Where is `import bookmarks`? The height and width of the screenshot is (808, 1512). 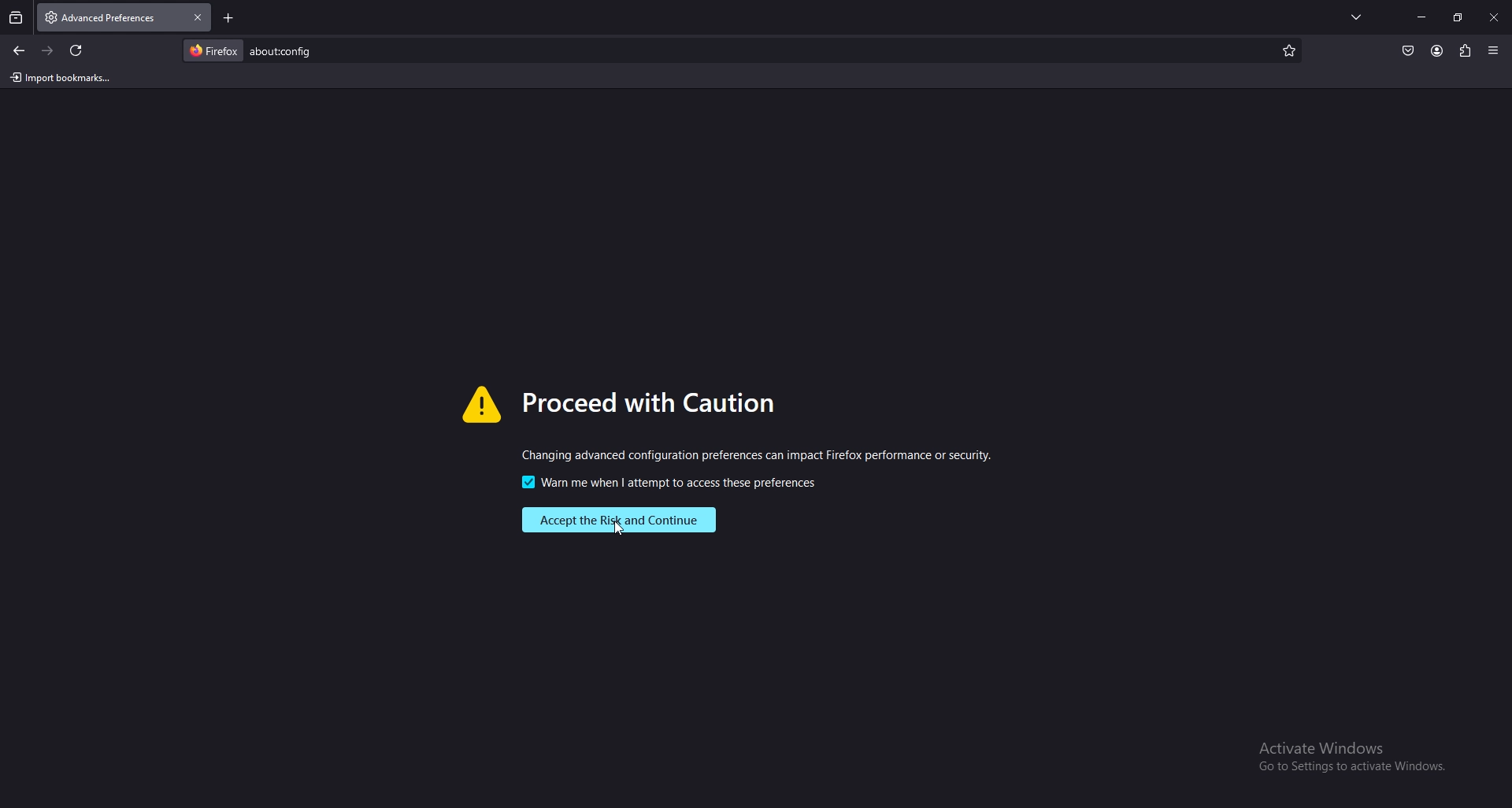 import bookmarks is located at coordinates (65, 78).